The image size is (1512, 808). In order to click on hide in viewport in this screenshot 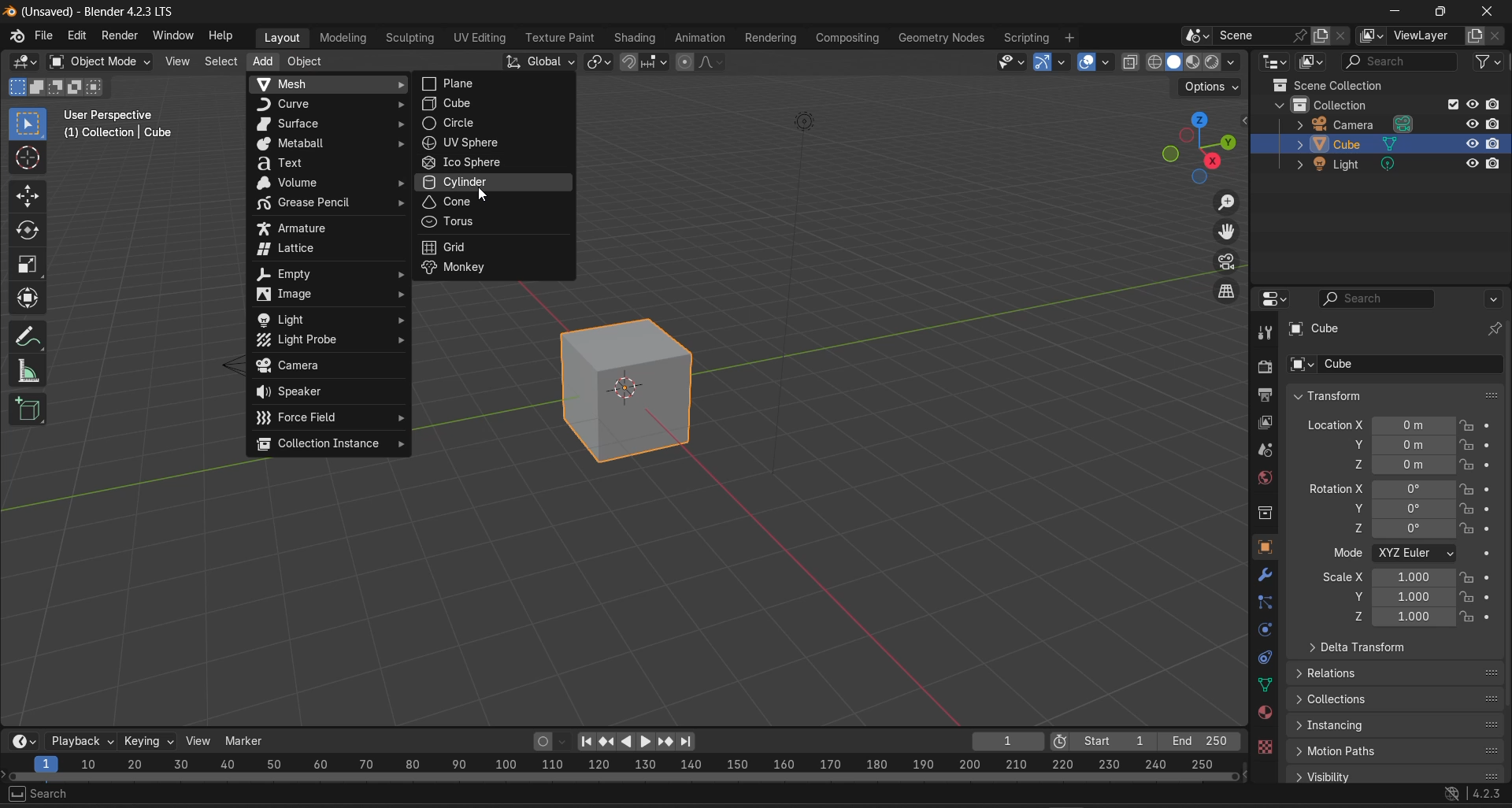, I will do `click(1470, 124)`.